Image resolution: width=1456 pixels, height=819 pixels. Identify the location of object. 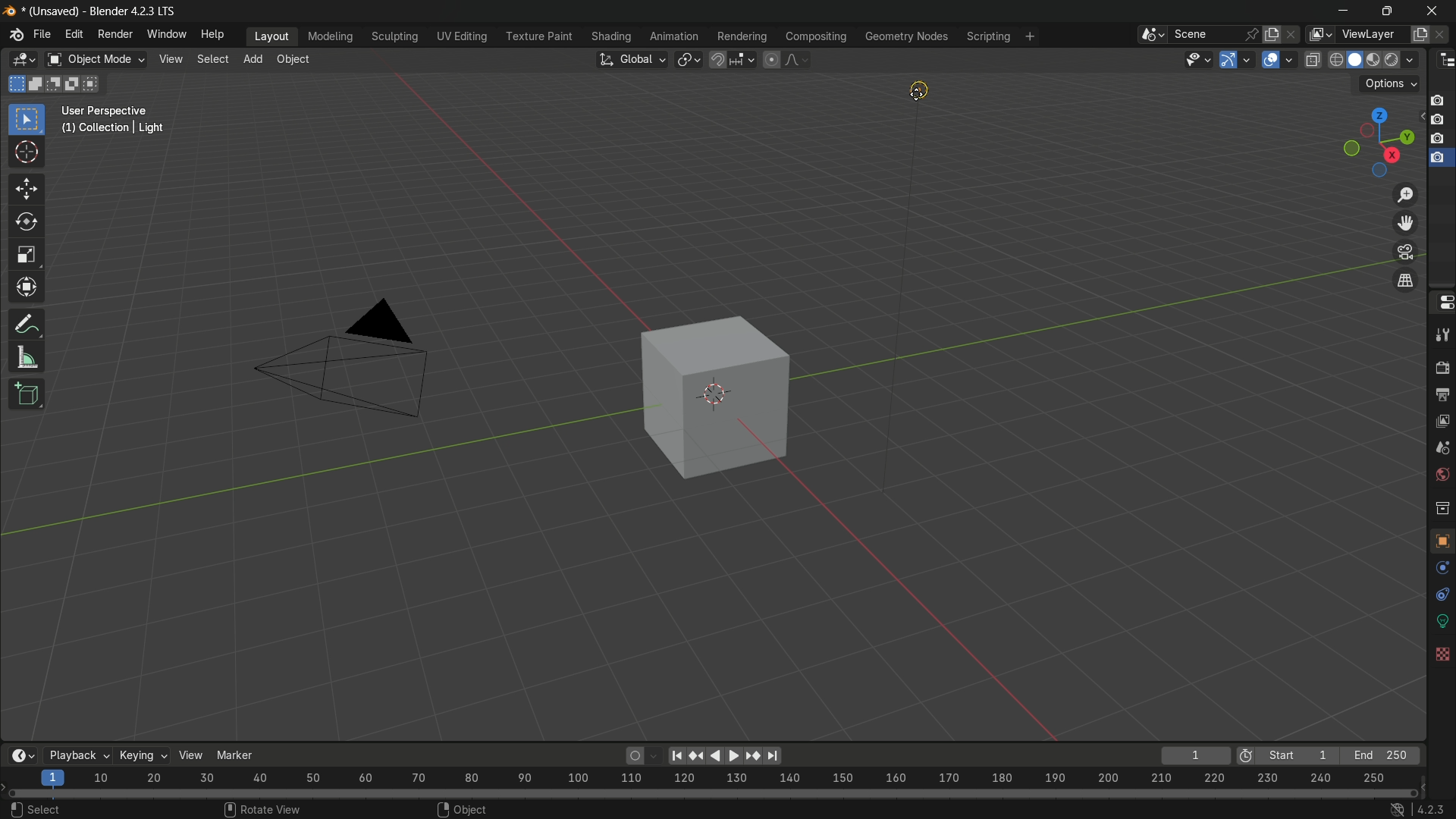
(462, 806).